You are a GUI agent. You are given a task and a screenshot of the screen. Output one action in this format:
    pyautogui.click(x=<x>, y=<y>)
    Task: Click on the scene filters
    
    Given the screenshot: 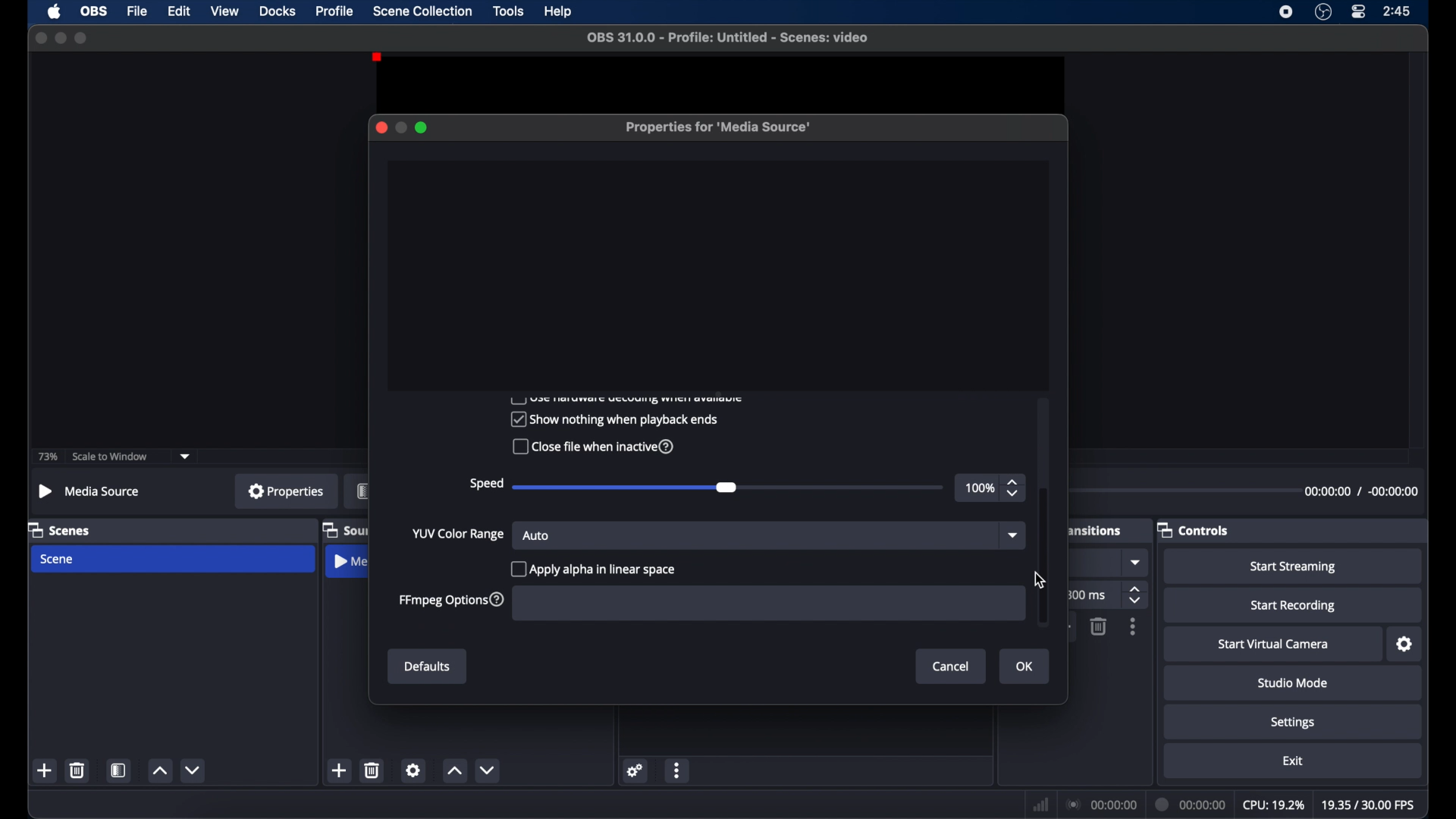 What is the action you would take?
    pyautogui.click(x=119, y=770)
    